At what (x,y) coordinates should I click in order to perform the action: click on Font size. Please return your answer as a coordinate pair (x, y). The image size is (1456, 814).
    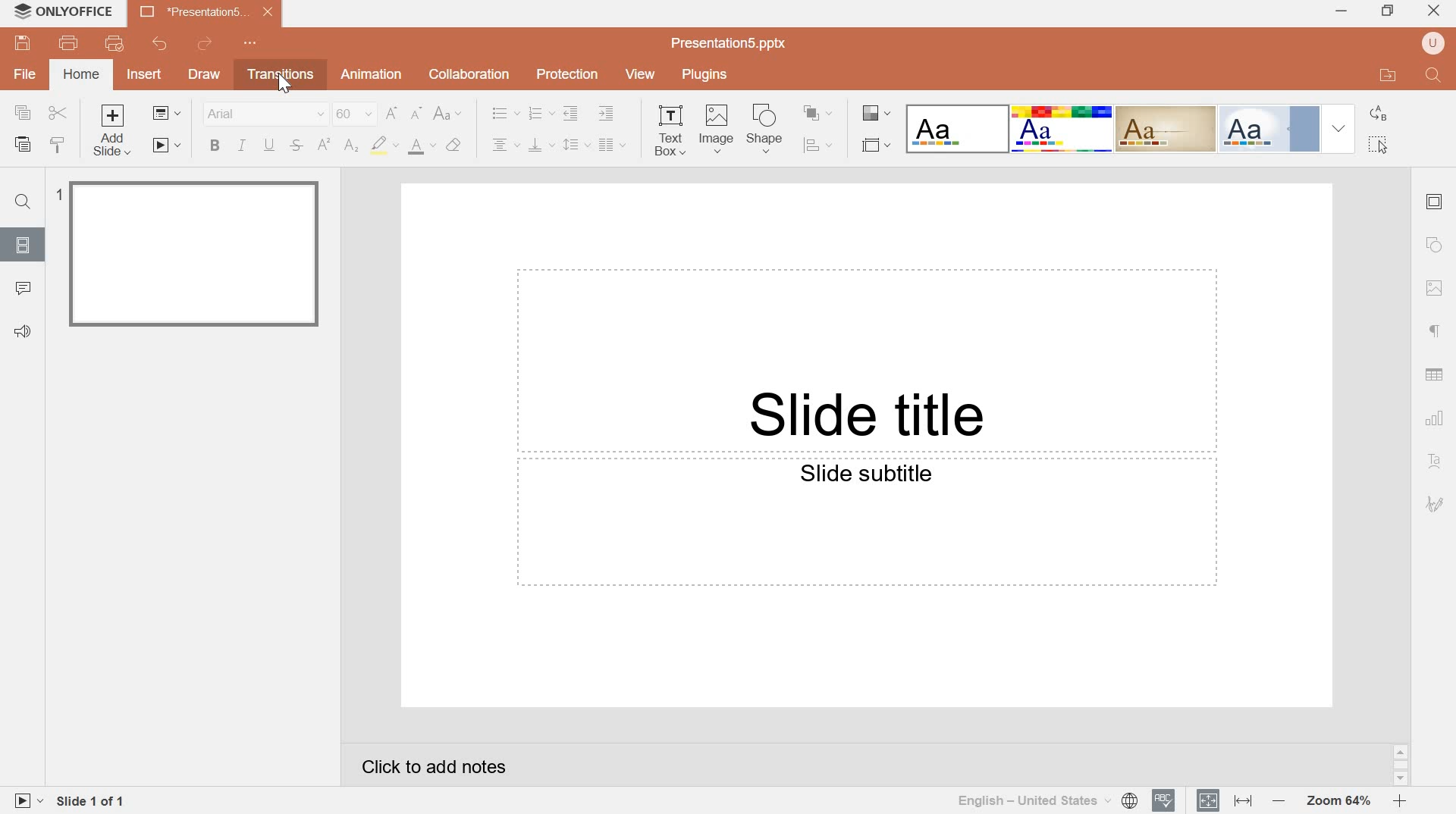
    Looking at the image, I should click on (356, 114).